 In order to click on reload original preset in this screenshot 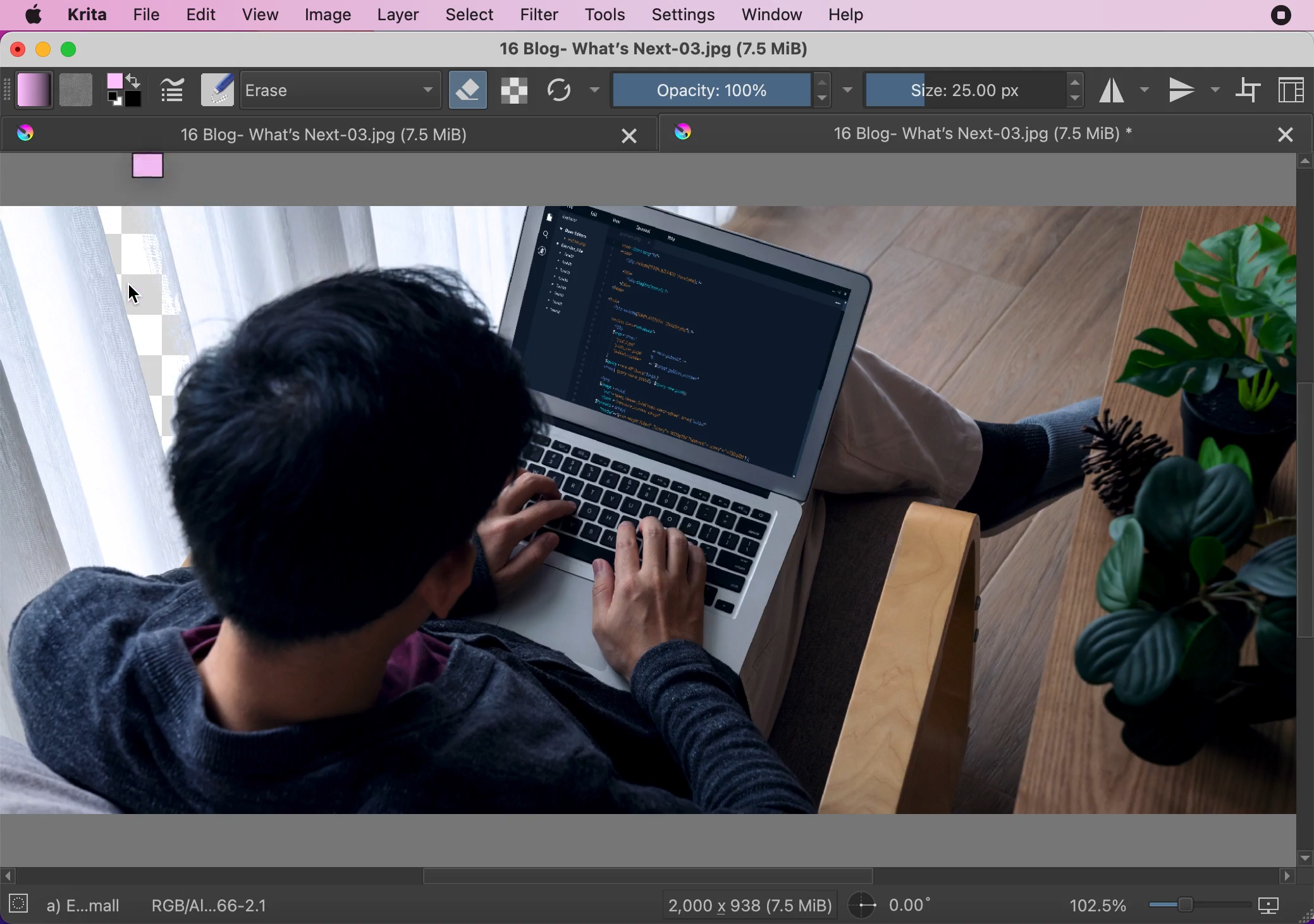, I will do `click(557, 90)`.